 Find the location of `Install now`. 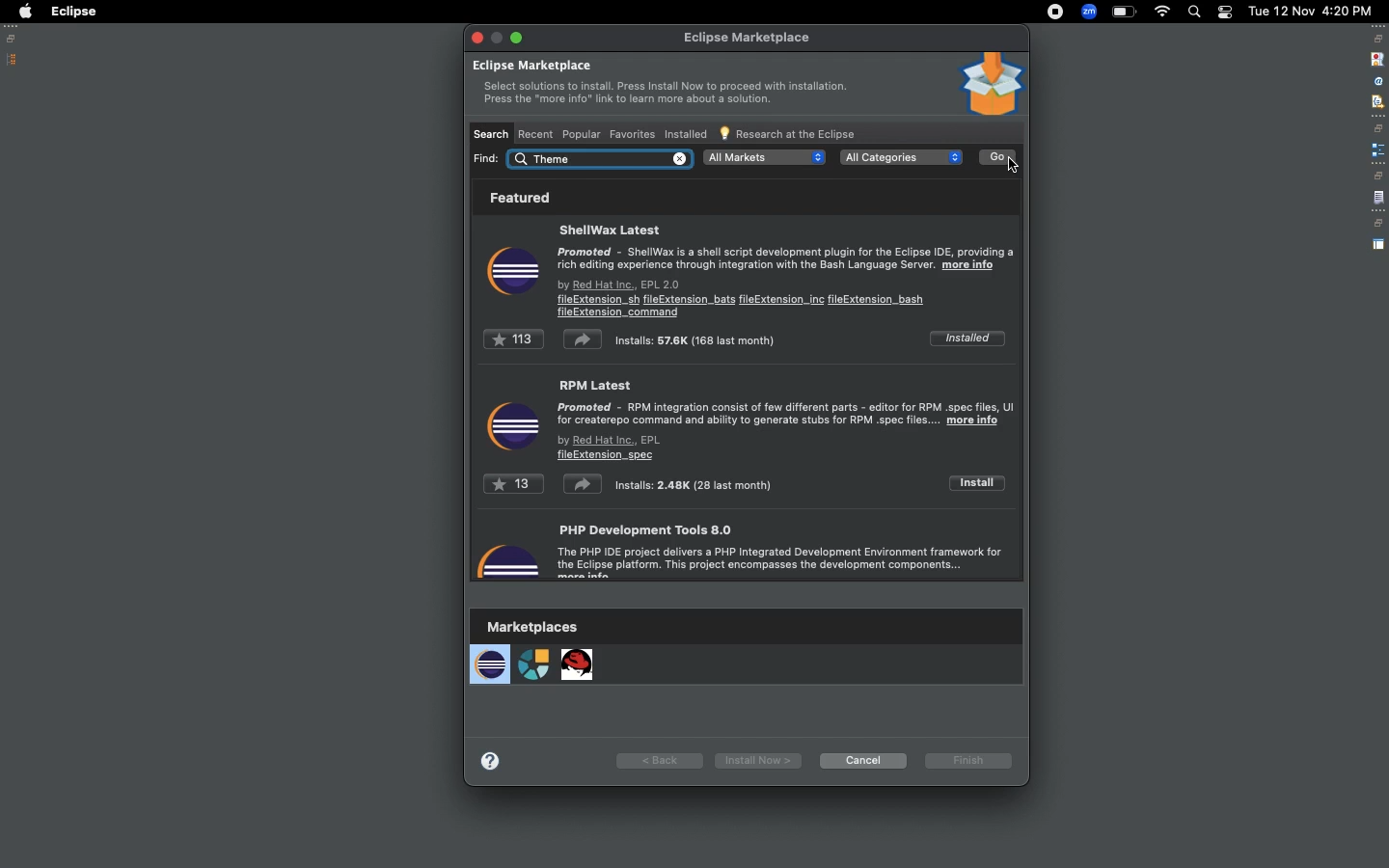

Install now is located at coordinates (754, 760).